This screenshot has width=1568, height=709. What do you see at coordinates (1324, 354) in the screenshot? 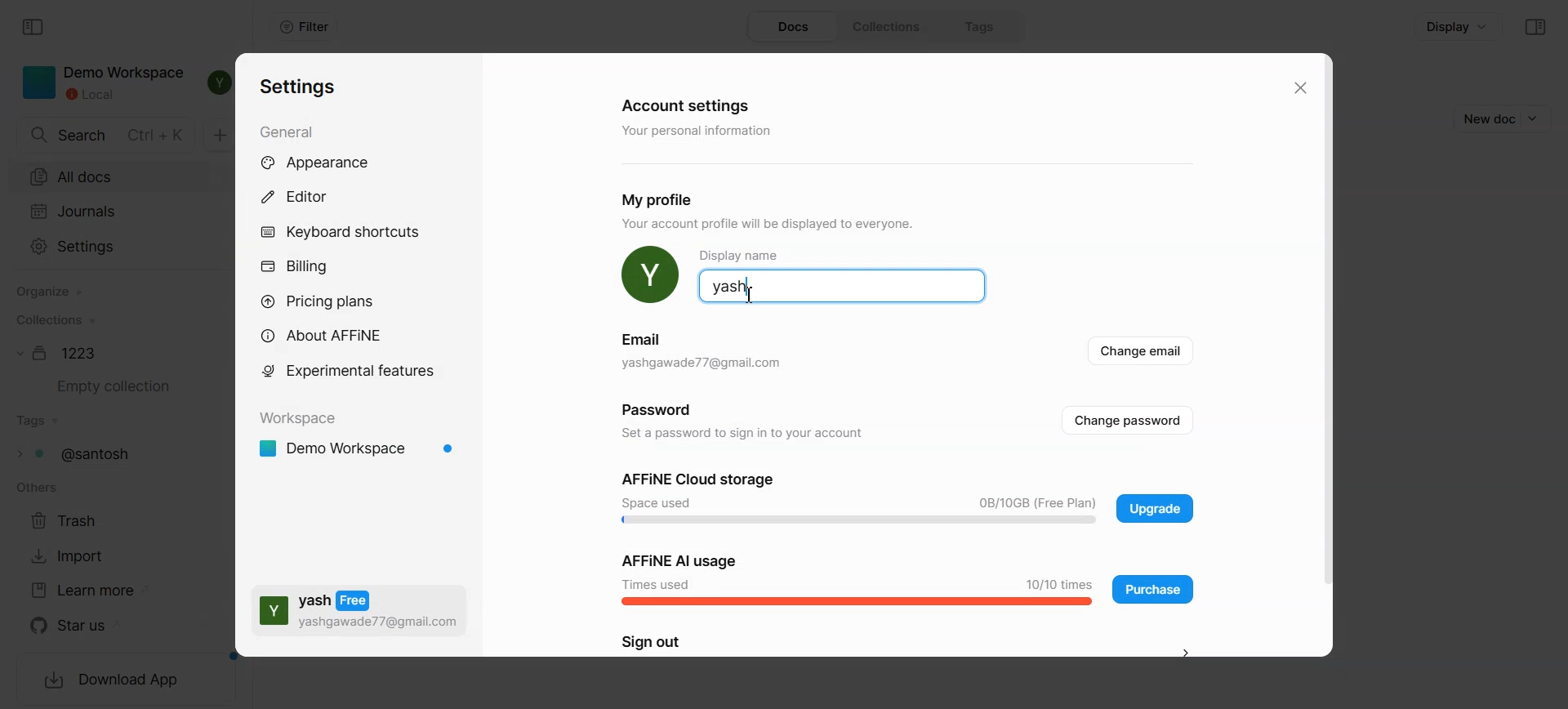
I see `Vertical scroll bar` at bounding box center [1324, 354].